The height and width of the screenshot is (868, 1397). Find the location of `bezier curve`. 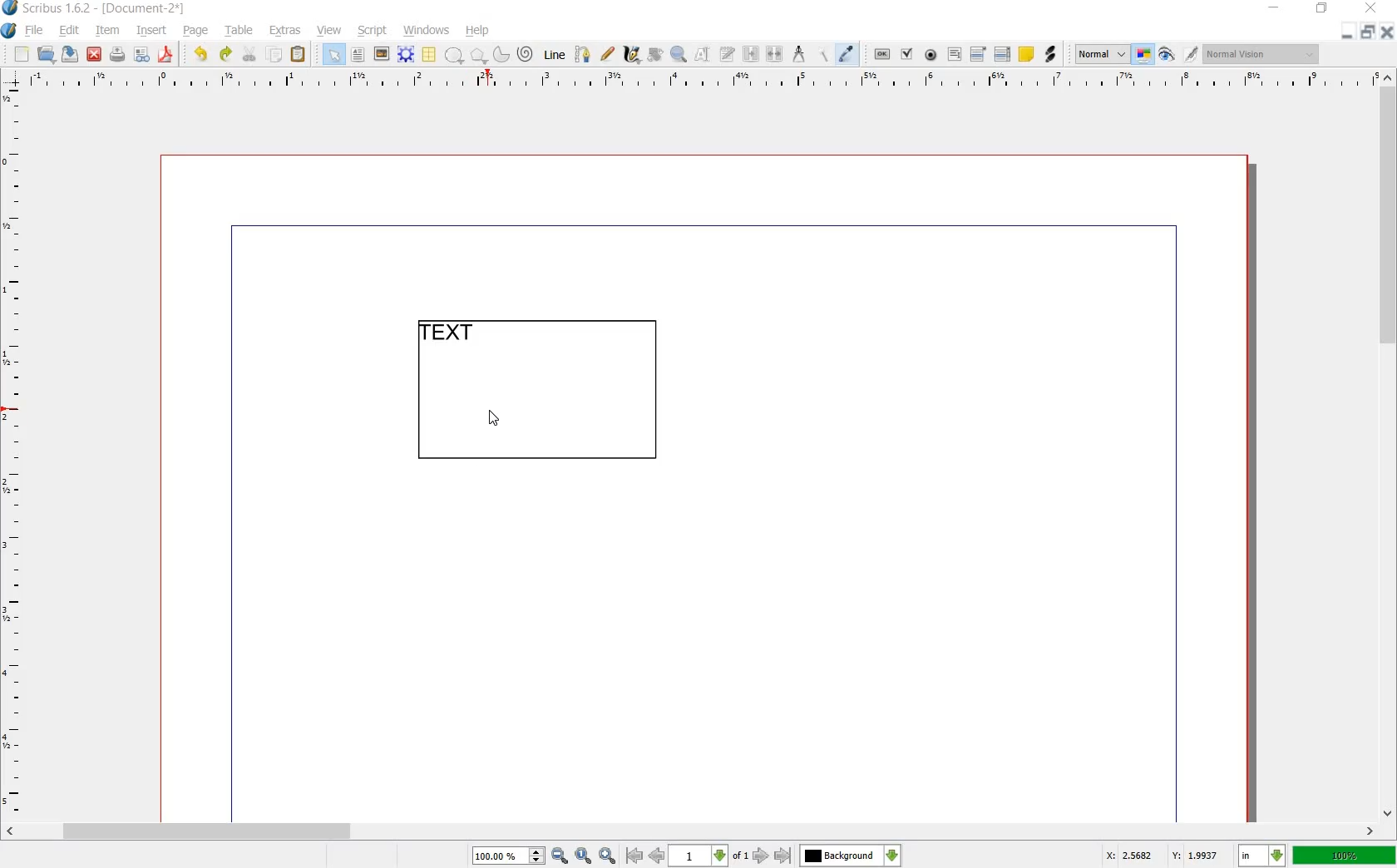

bezier curve is located at coordinates (584, 56).